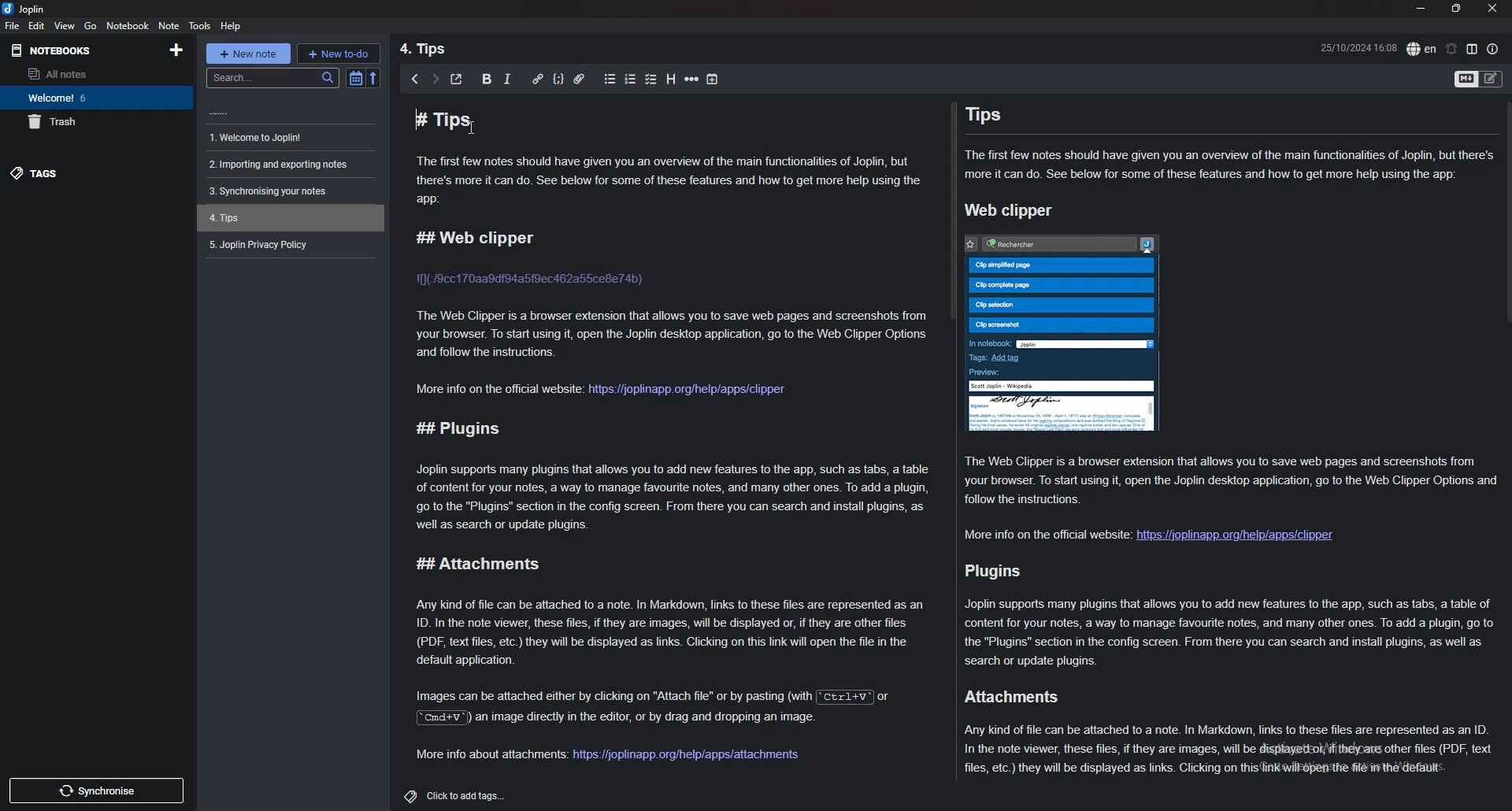 This screenshot has height=811, width=1512. I want to click on , so click(375, 80).